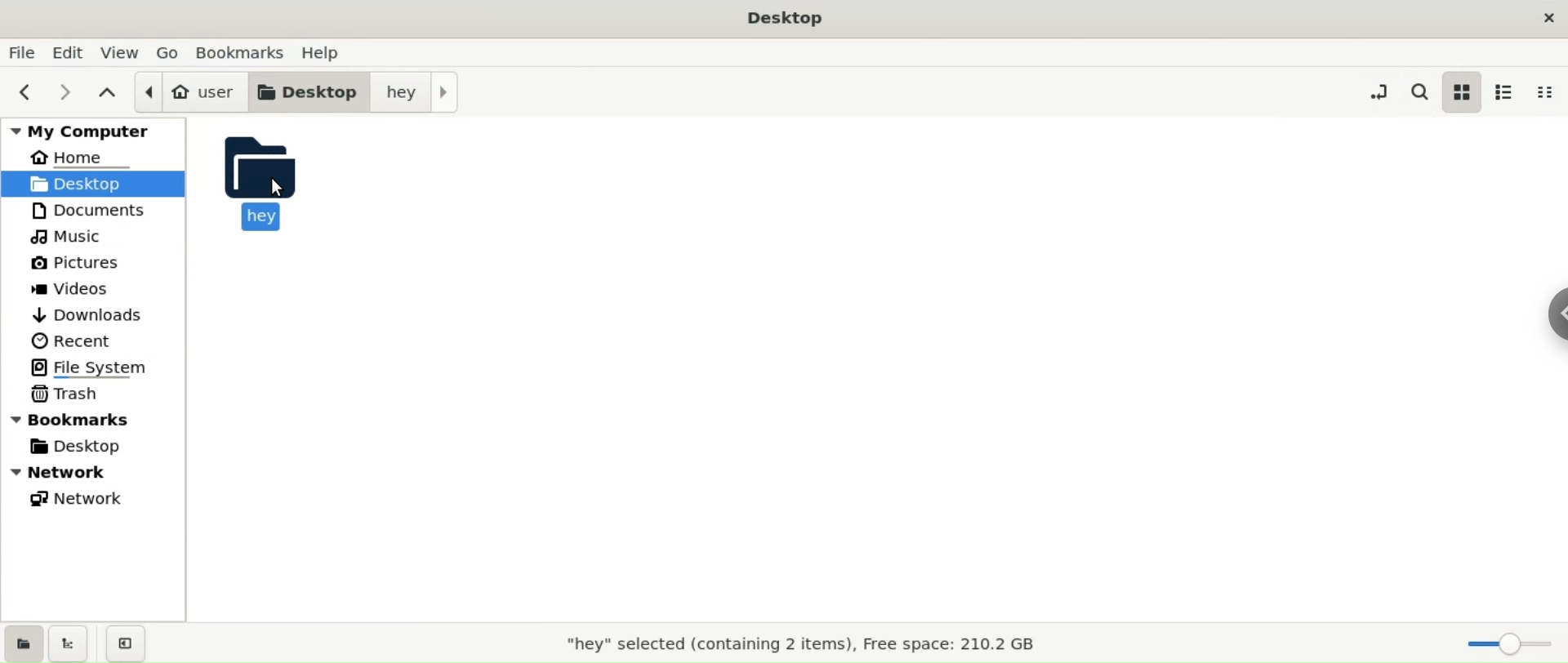 The height and width of the screenshot is (663, 1568). Describe the element at coordinates (110, 95) in the screenshot. I see `parent folders` at that location.